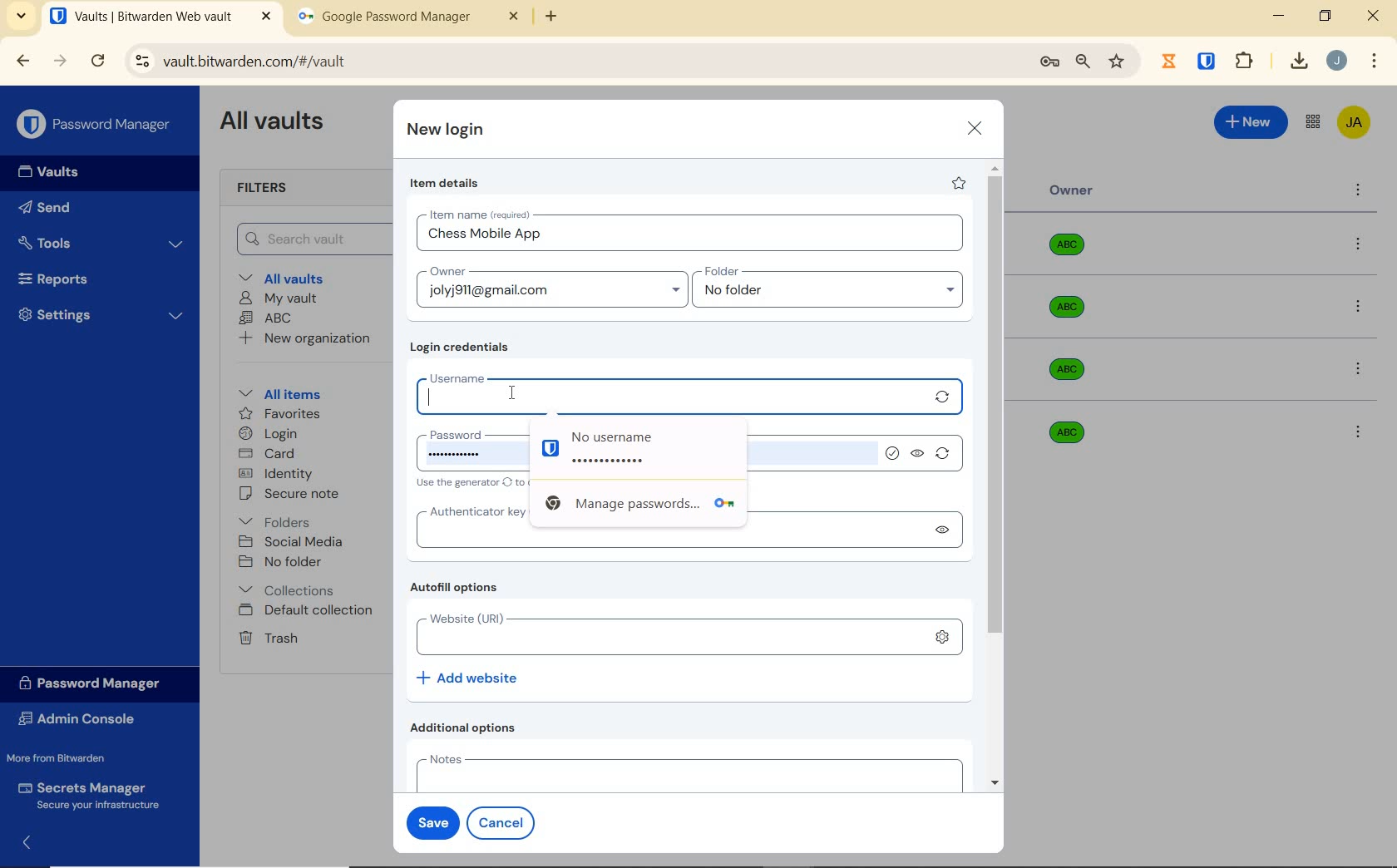 The image size is (1397, 868). Describe the element at coordinates (1082, 62) in the screenshot. I see `zoom` at that location.